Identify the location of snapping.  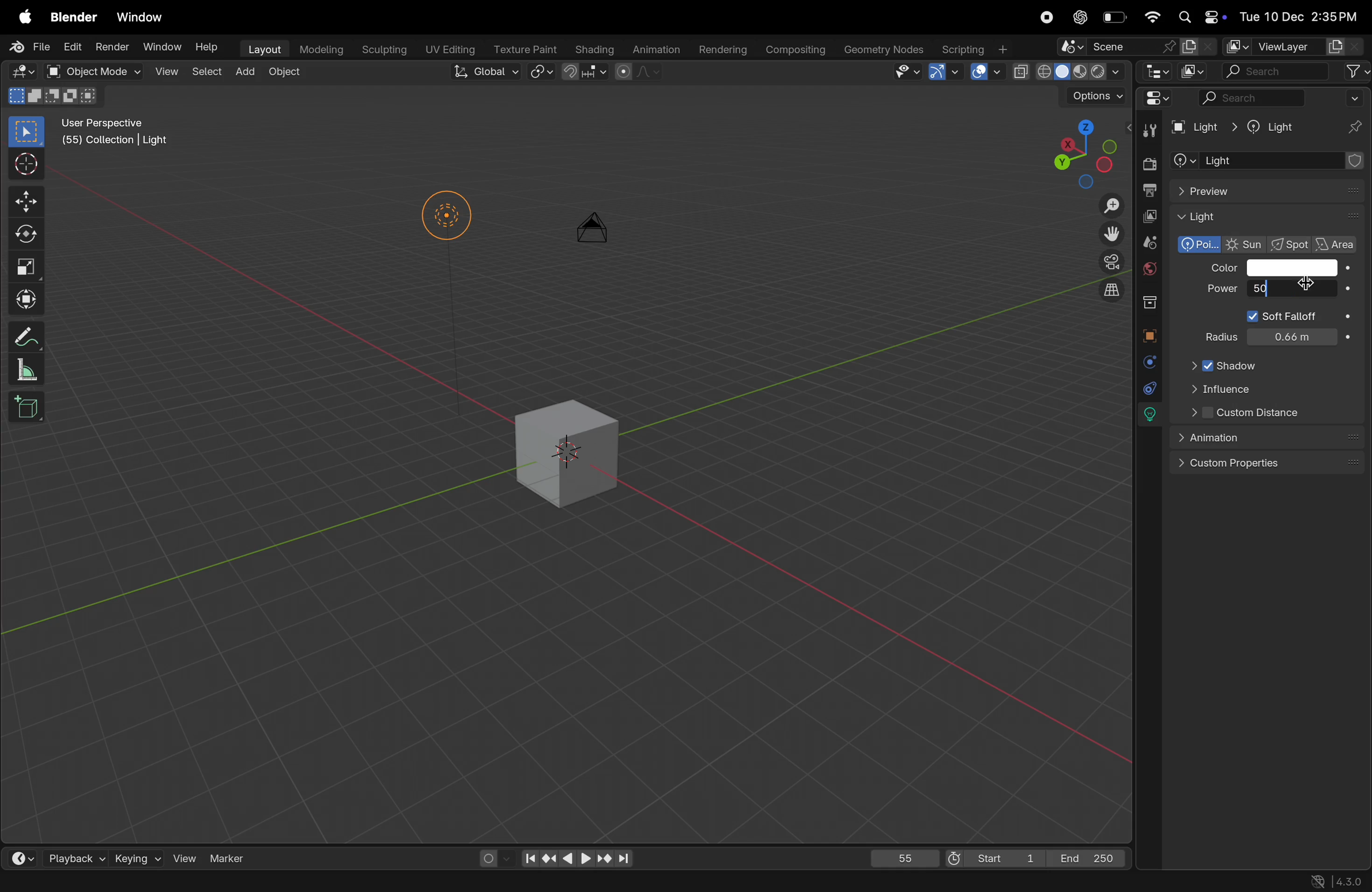
(585, 72).